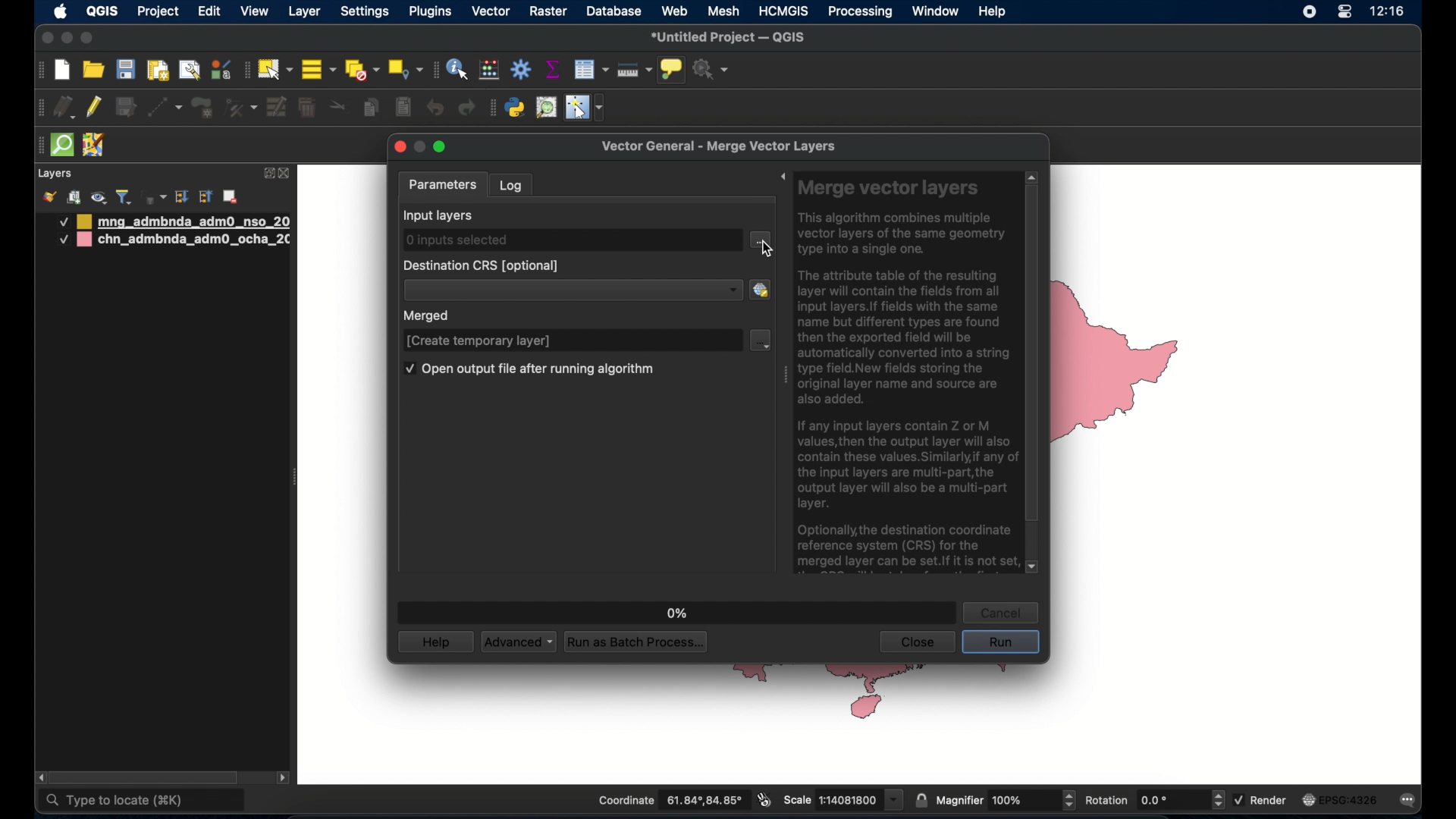  Describe the element at coordinates (724, 11) in the screenshot. I see `mesh` at that location.